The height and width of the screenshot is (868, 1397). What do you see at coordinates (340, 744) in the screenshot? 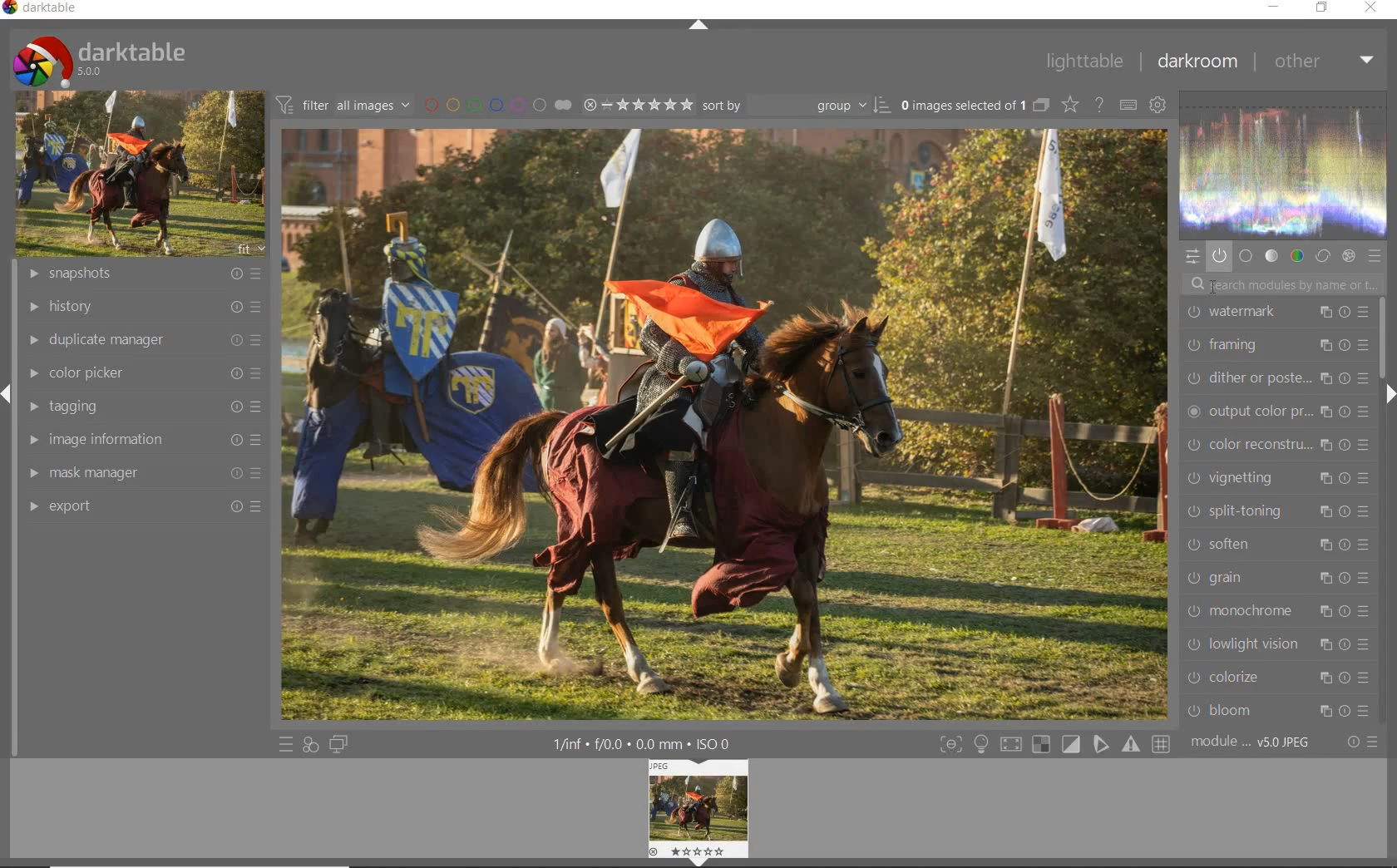
I see `display a second darkroom image widow` at bounding box center [340, 744].